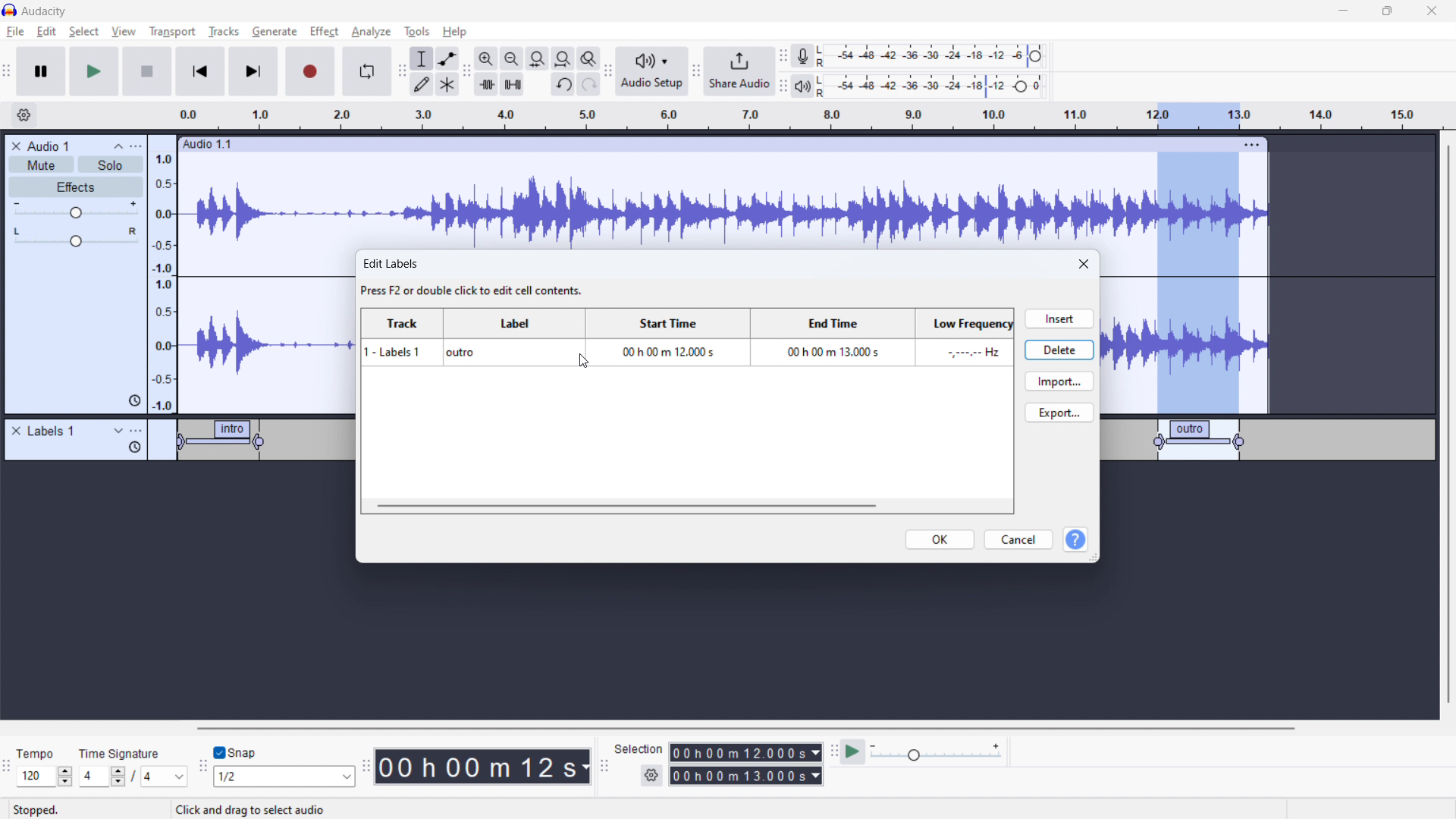 The image size is (1456, 819). Describe the element at coordinates (1059, 349) in the screenshot. I see `delete` at that location.